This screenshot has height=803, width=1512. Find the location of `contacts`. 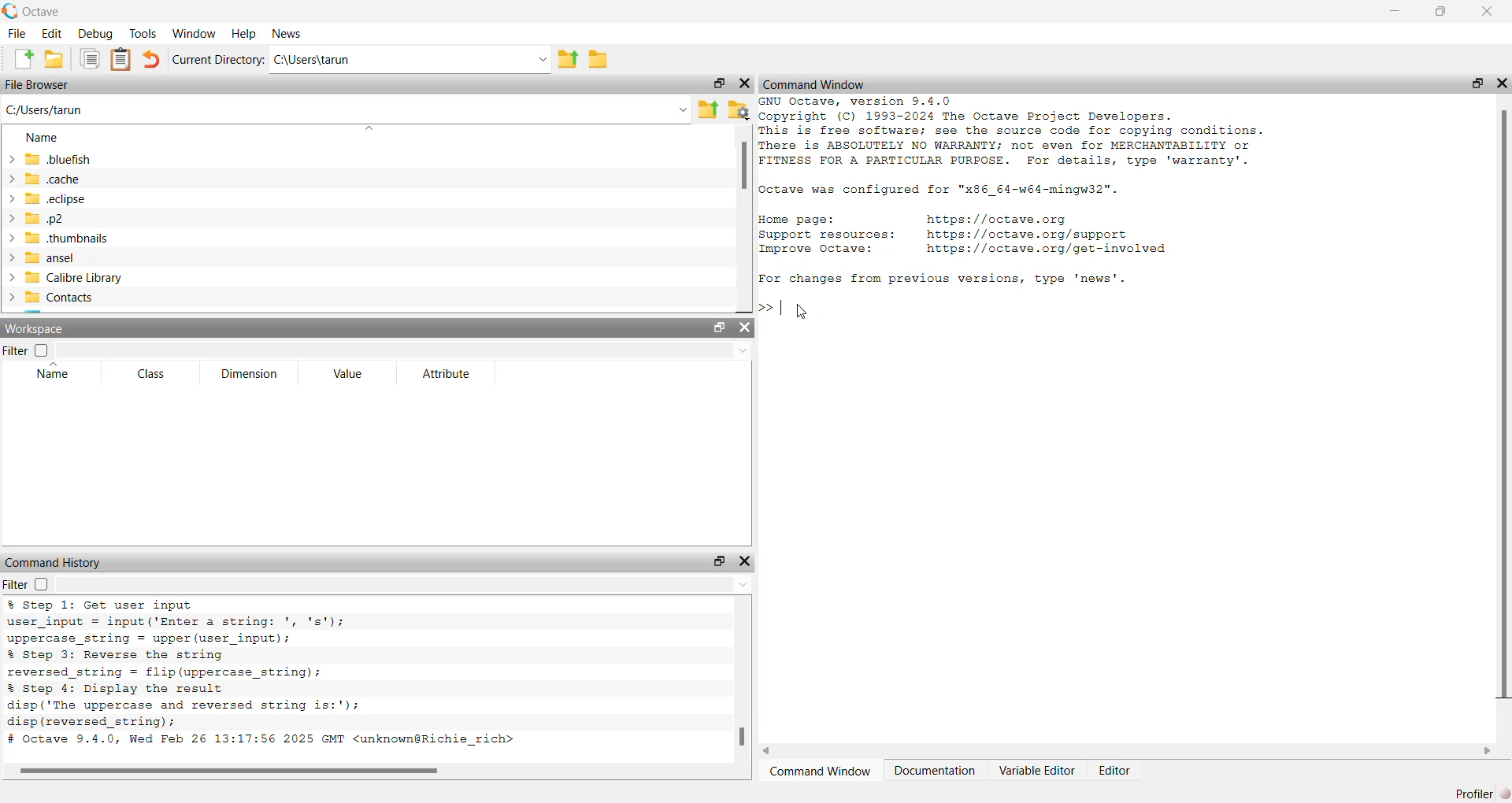

contacts is located at coordinates (69, 299).